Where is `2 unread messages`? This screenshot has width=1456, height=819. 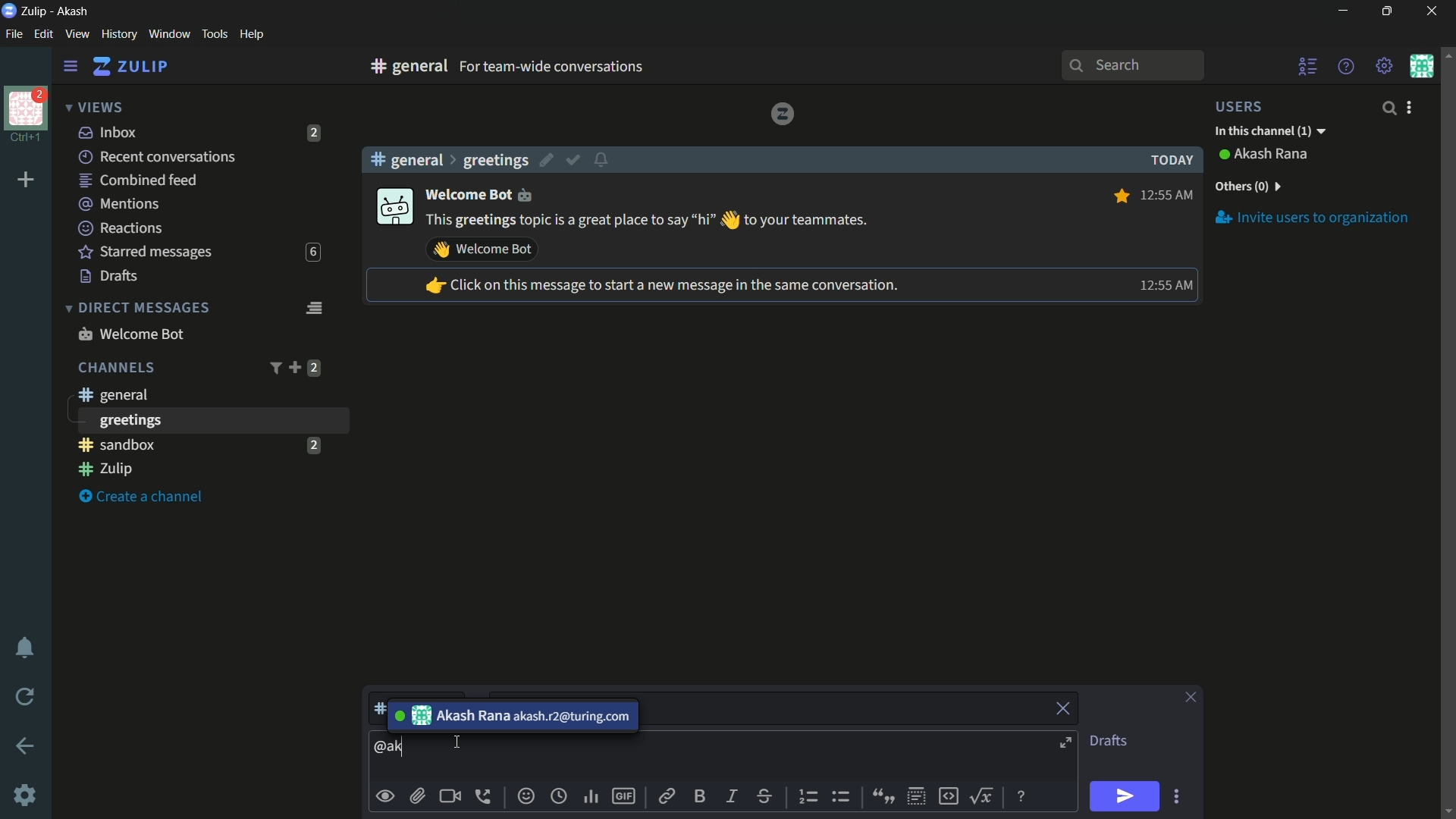 2 unread messages is located at coordinates (314, 368).